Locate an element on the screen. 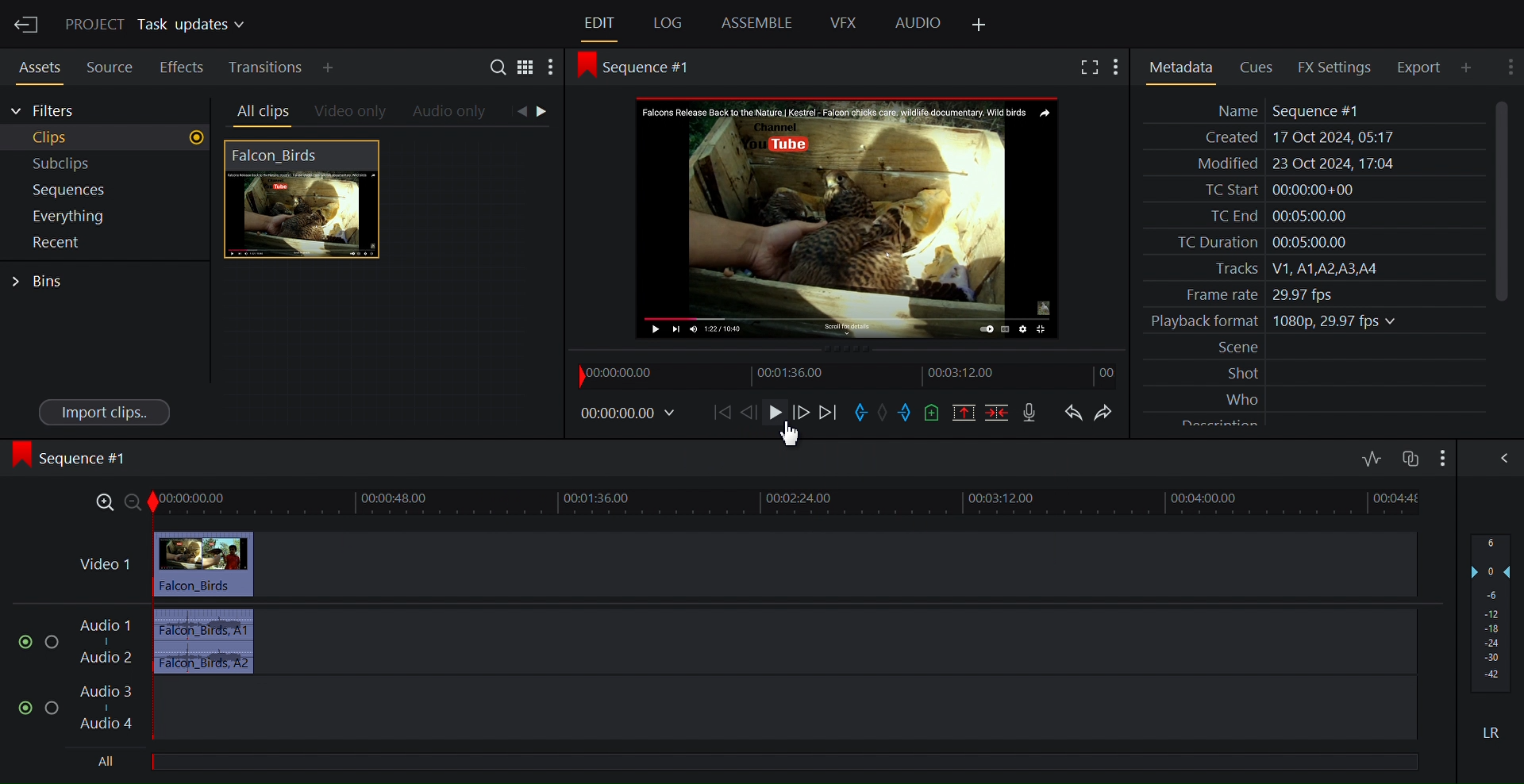 The image size is (1524, 784). Clear marks is located at coordinates (883, 412).